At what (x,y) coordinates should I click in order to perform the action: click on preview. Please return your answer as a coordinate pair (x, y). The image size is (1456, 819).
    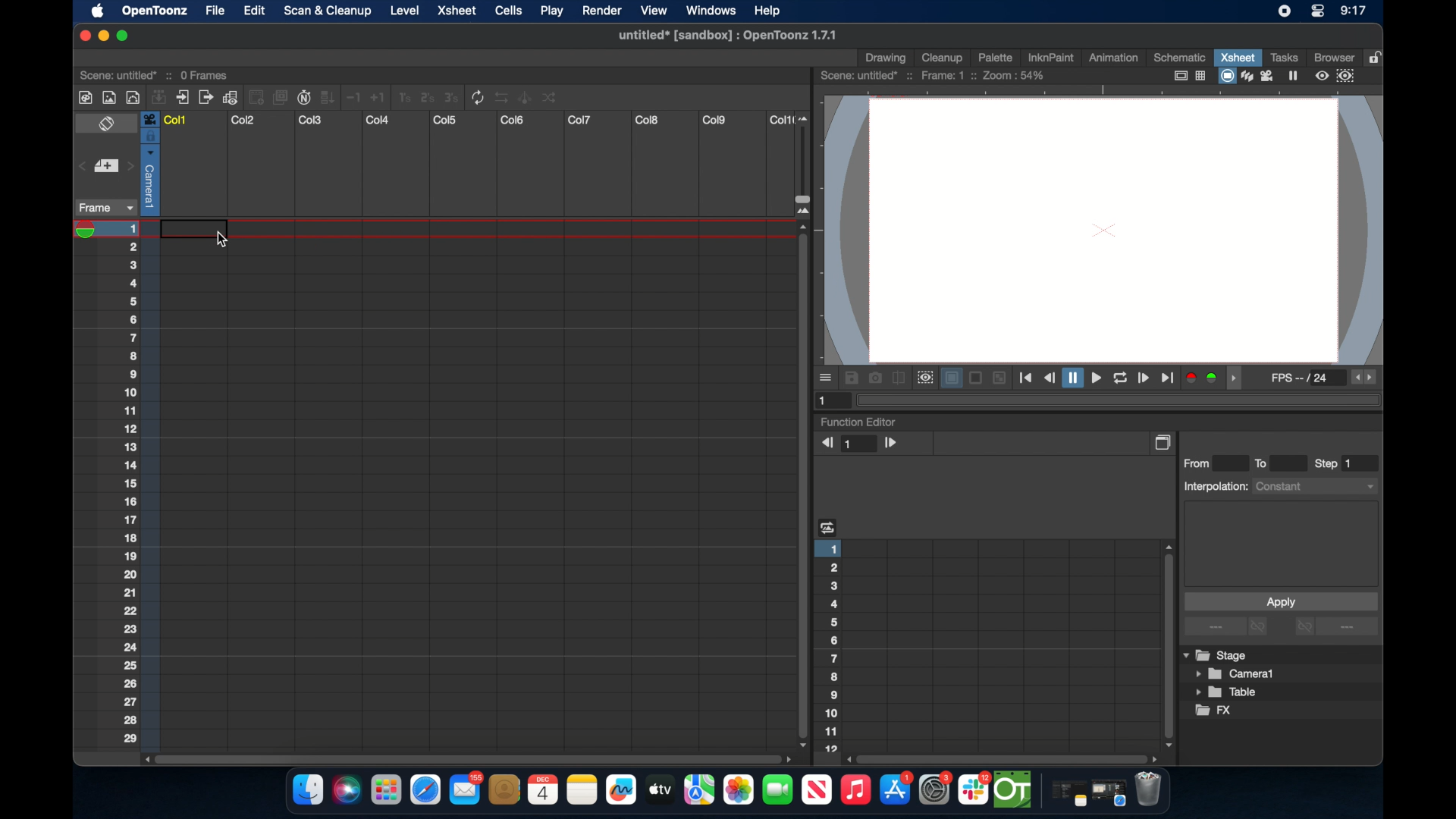
    Looking at the image, I should click on (1337, 76).